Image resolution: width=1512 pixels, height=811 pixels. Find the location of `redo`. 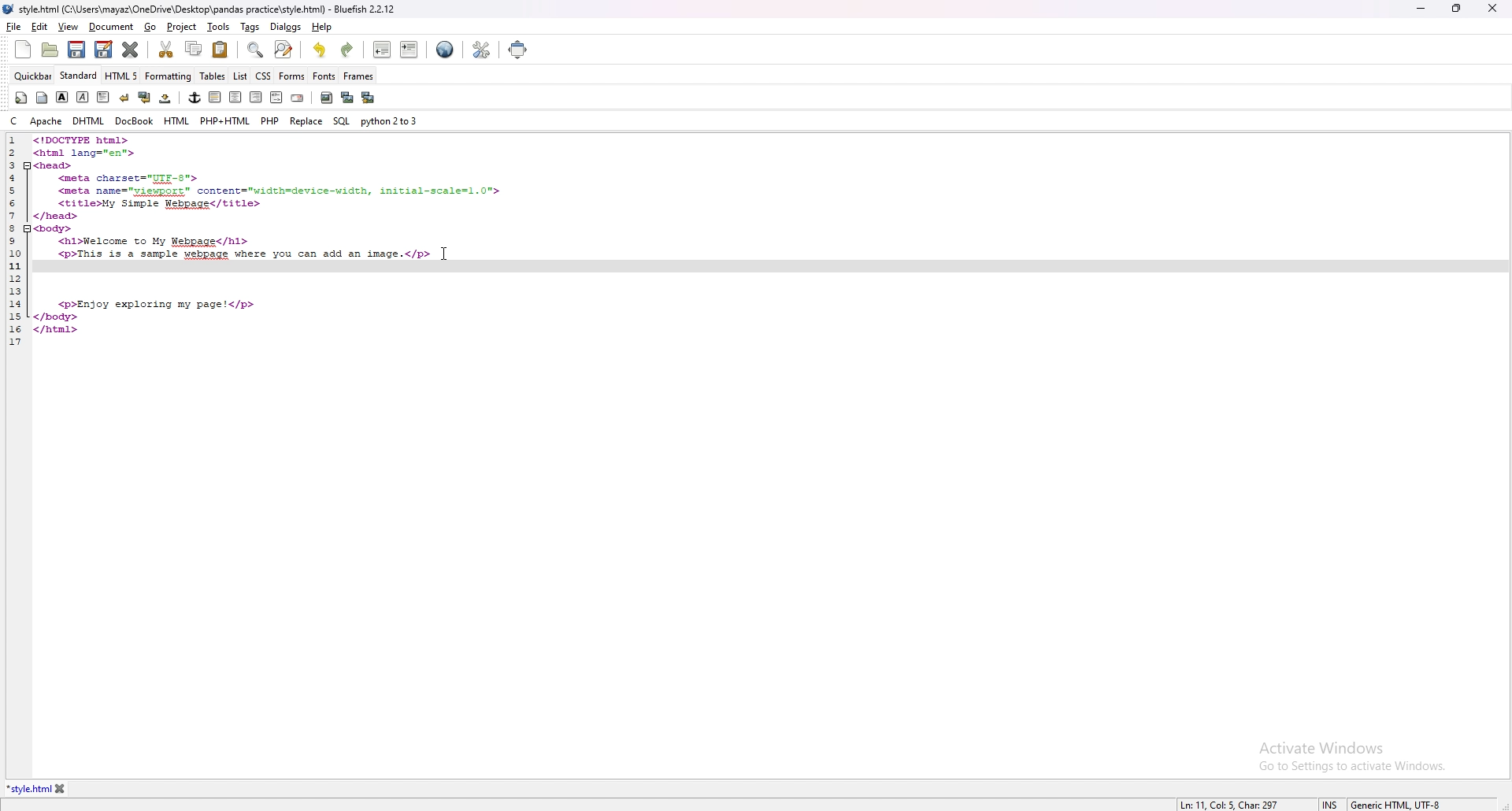

redo is located at coordinates (348, 51).